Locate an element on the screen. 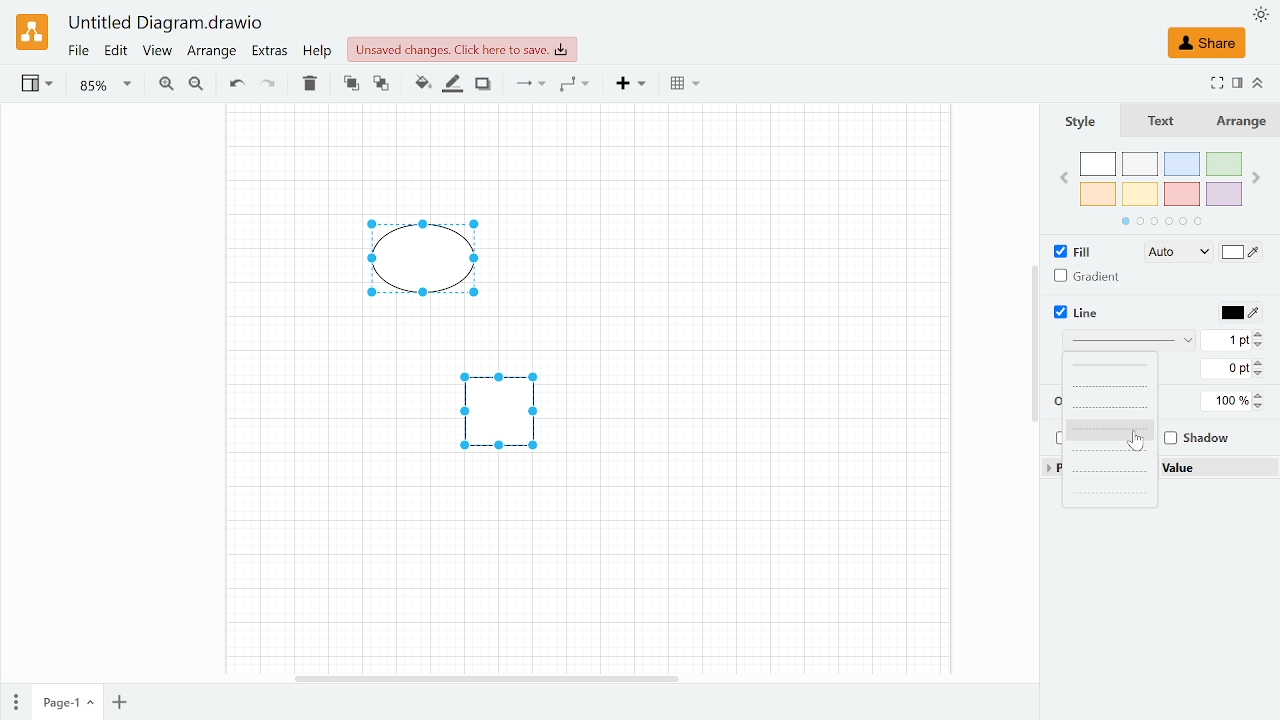 The image size is (1280, 720). Zoom in is located at coordinates (166, 84).